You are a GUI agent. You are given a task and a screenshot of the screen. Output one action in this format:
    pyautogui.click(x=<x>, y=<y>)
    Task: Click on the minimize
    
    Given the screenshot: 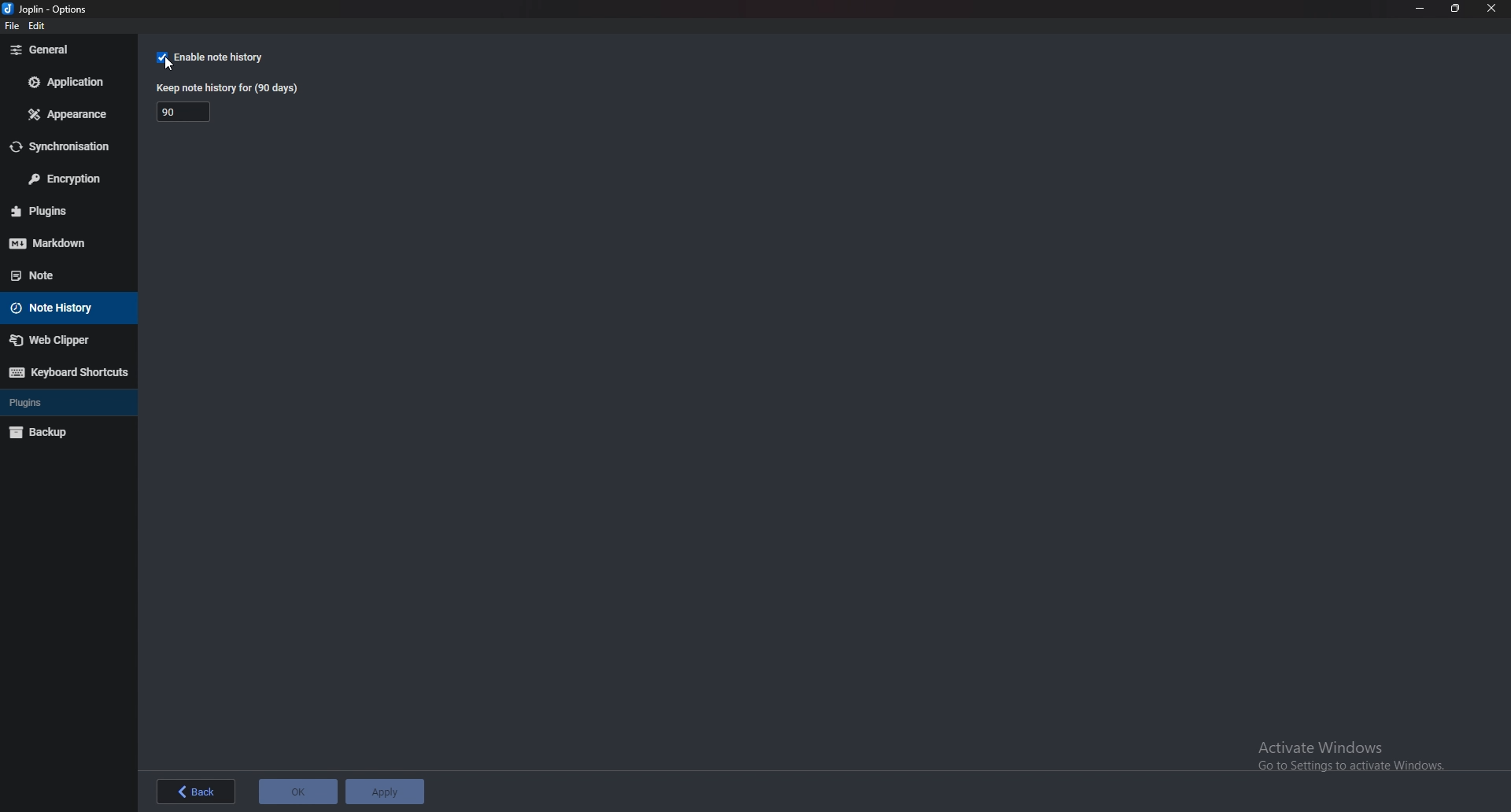 What is the action you would take?
    pyautogui.click(x=1421, y=8)
    